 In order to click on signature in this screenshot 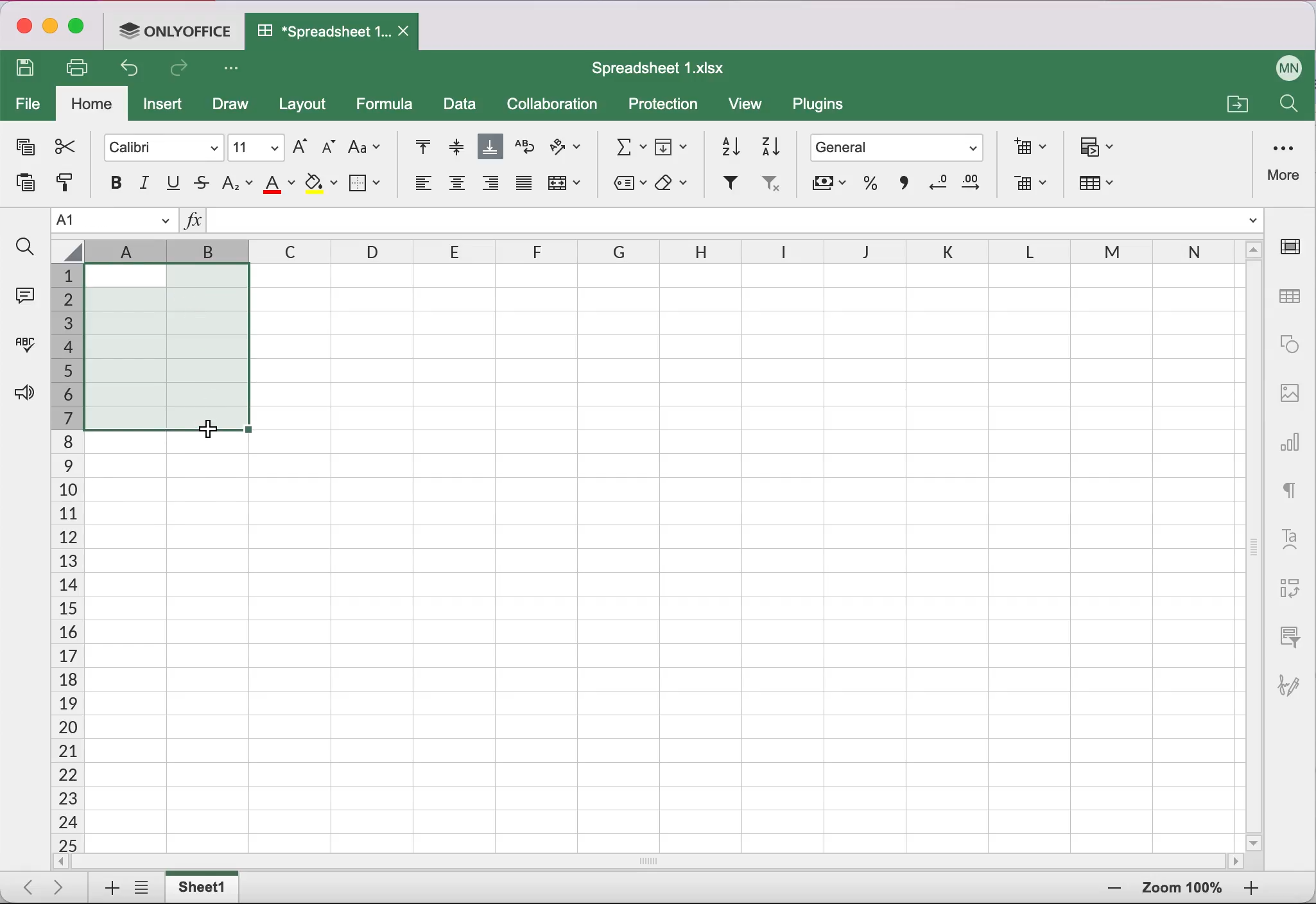, I will do `click(1295, 679)`.